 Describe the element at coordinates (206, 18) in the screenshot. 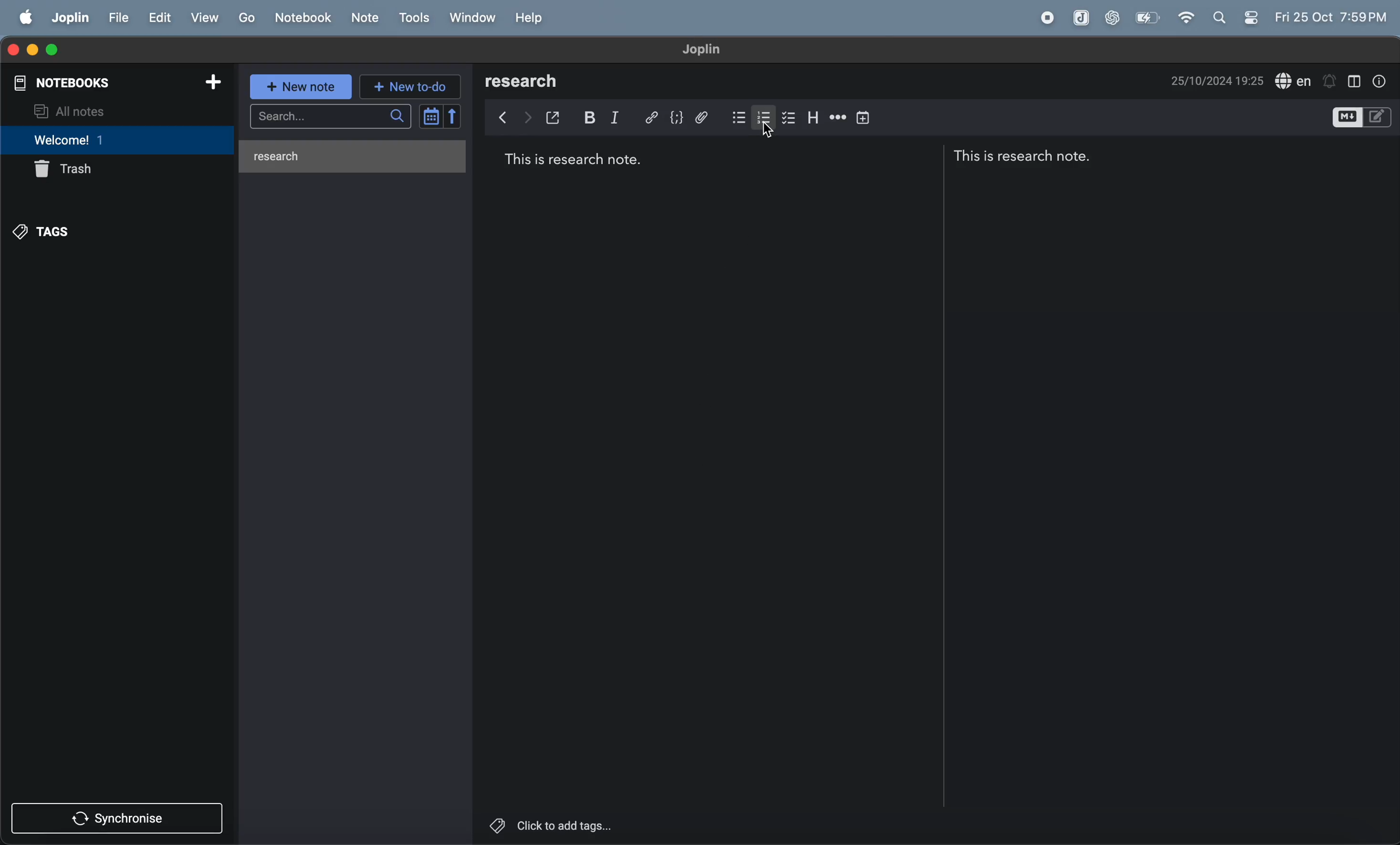

I see `view` at that location.